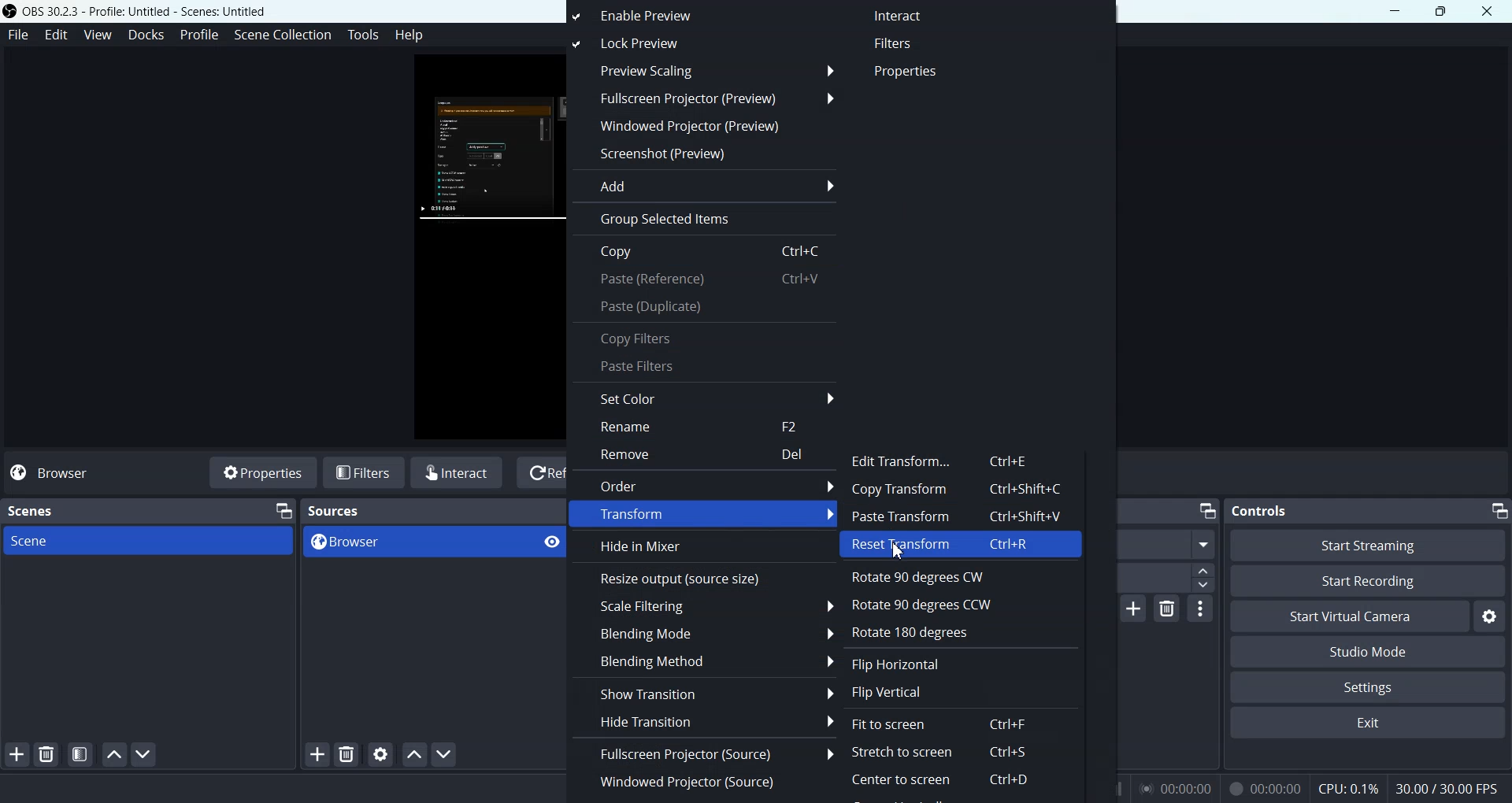 This screenshot has width=1512, height=803. Describe the element at coordinates (705, 307) in the screenshot. I see `Paste (Duplicate)` at that location.